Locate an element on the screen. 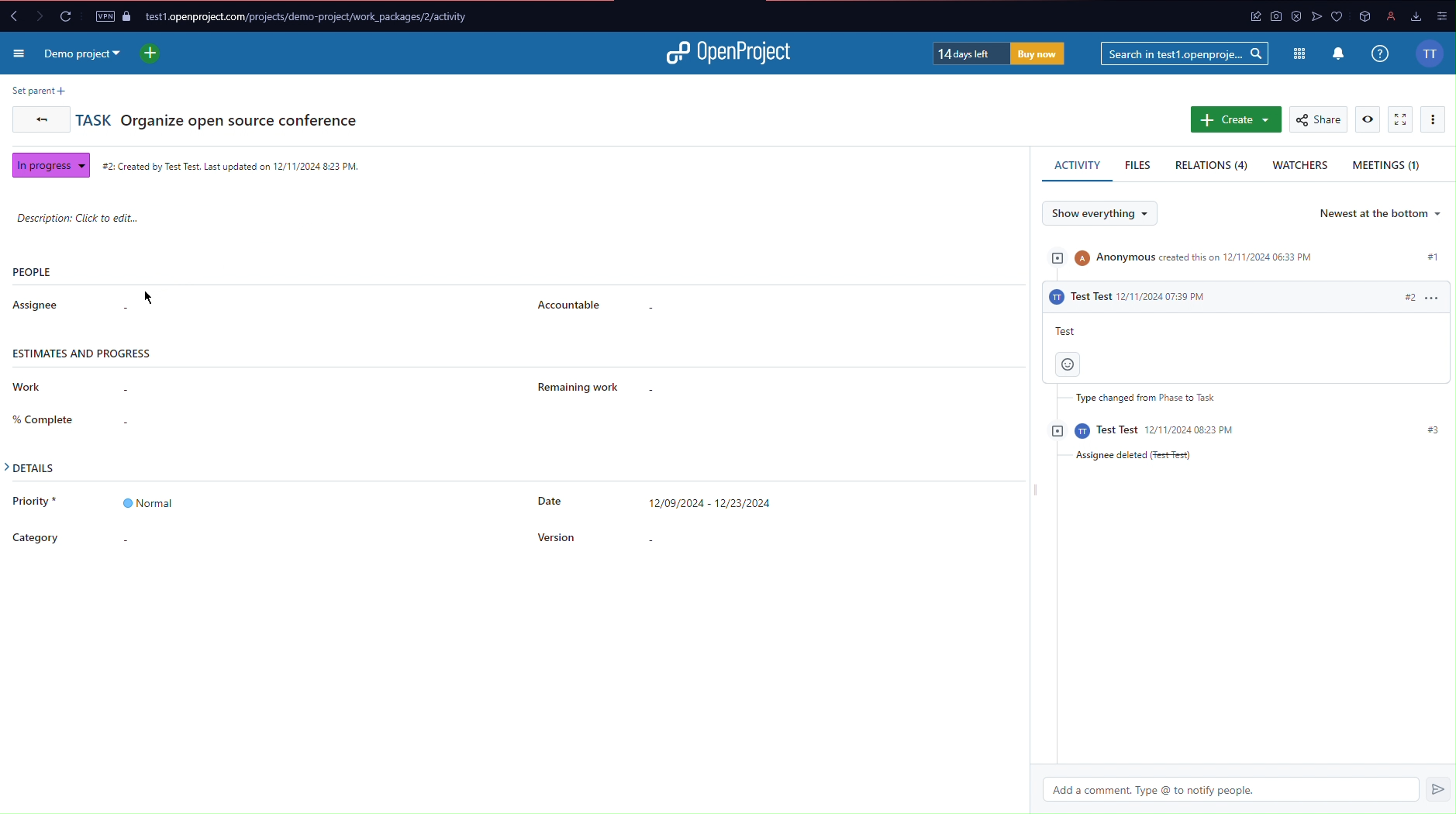 The height and width of the screenshot is (814, 1456). Test is located at coordinates (1067, 330).